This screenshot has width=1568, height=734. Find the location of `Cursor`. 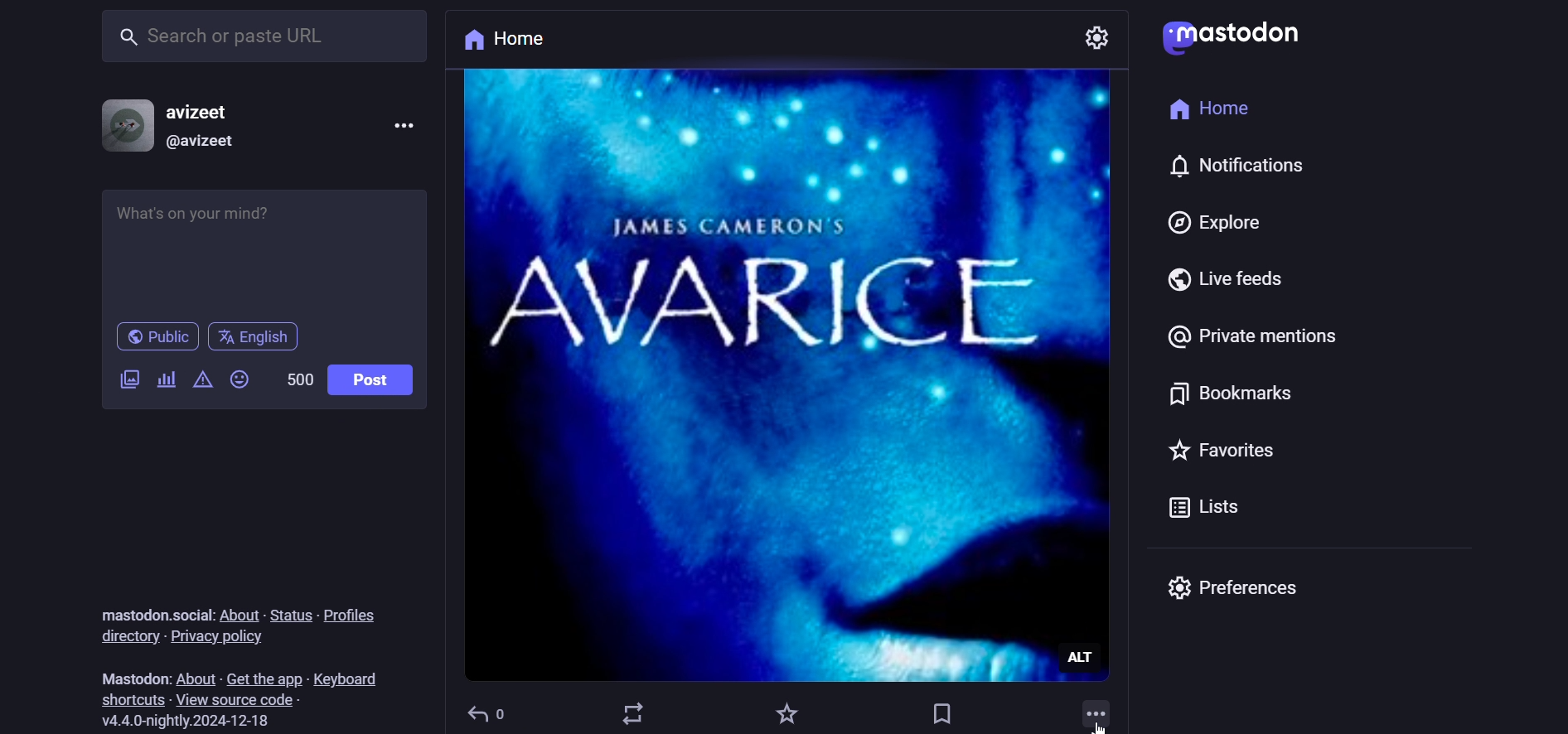

Cursor is located at coordinates (1101, 725).